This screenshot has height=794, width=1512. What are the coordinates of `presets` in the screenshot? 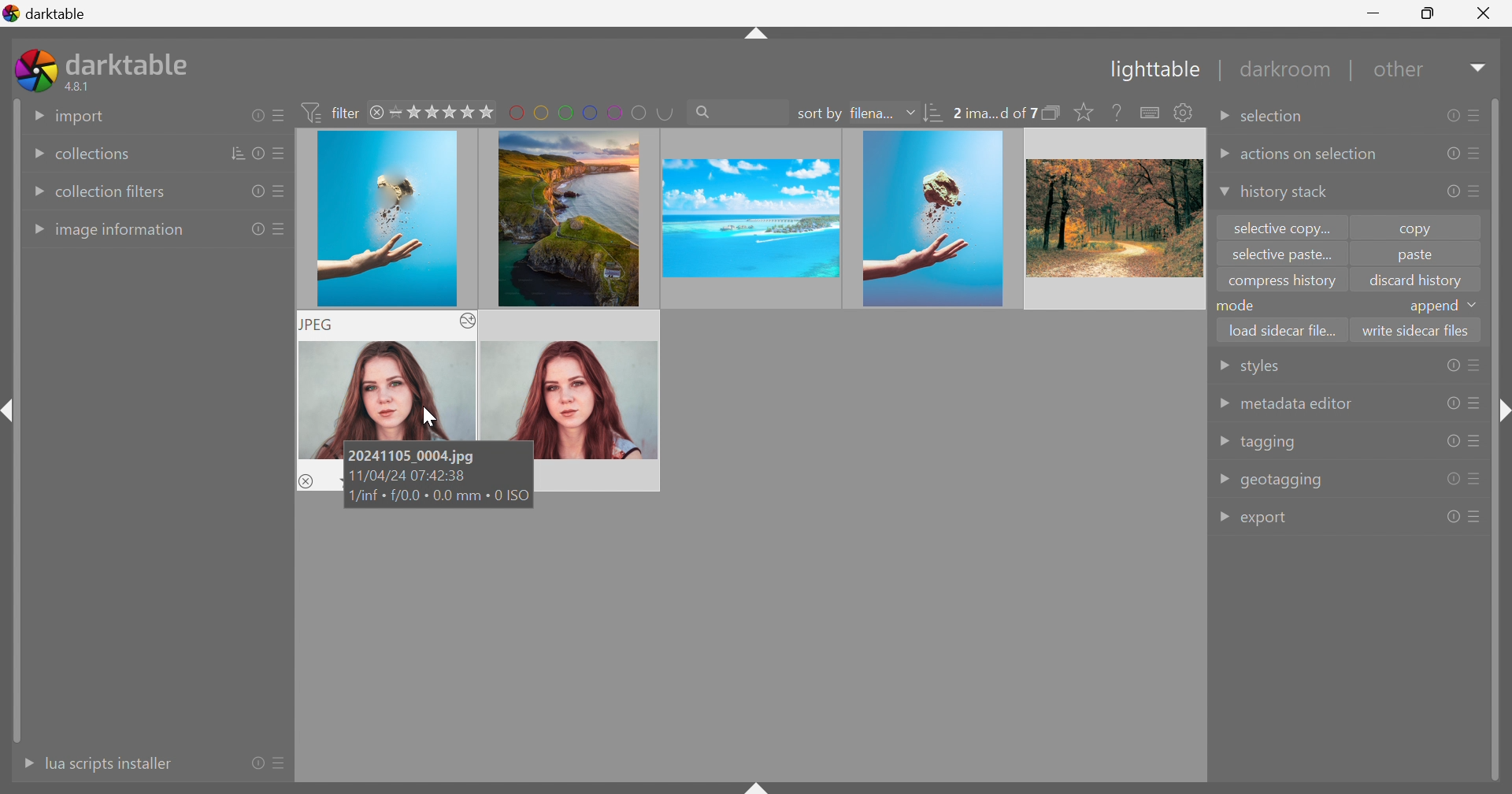 It's located at (1477, 516).